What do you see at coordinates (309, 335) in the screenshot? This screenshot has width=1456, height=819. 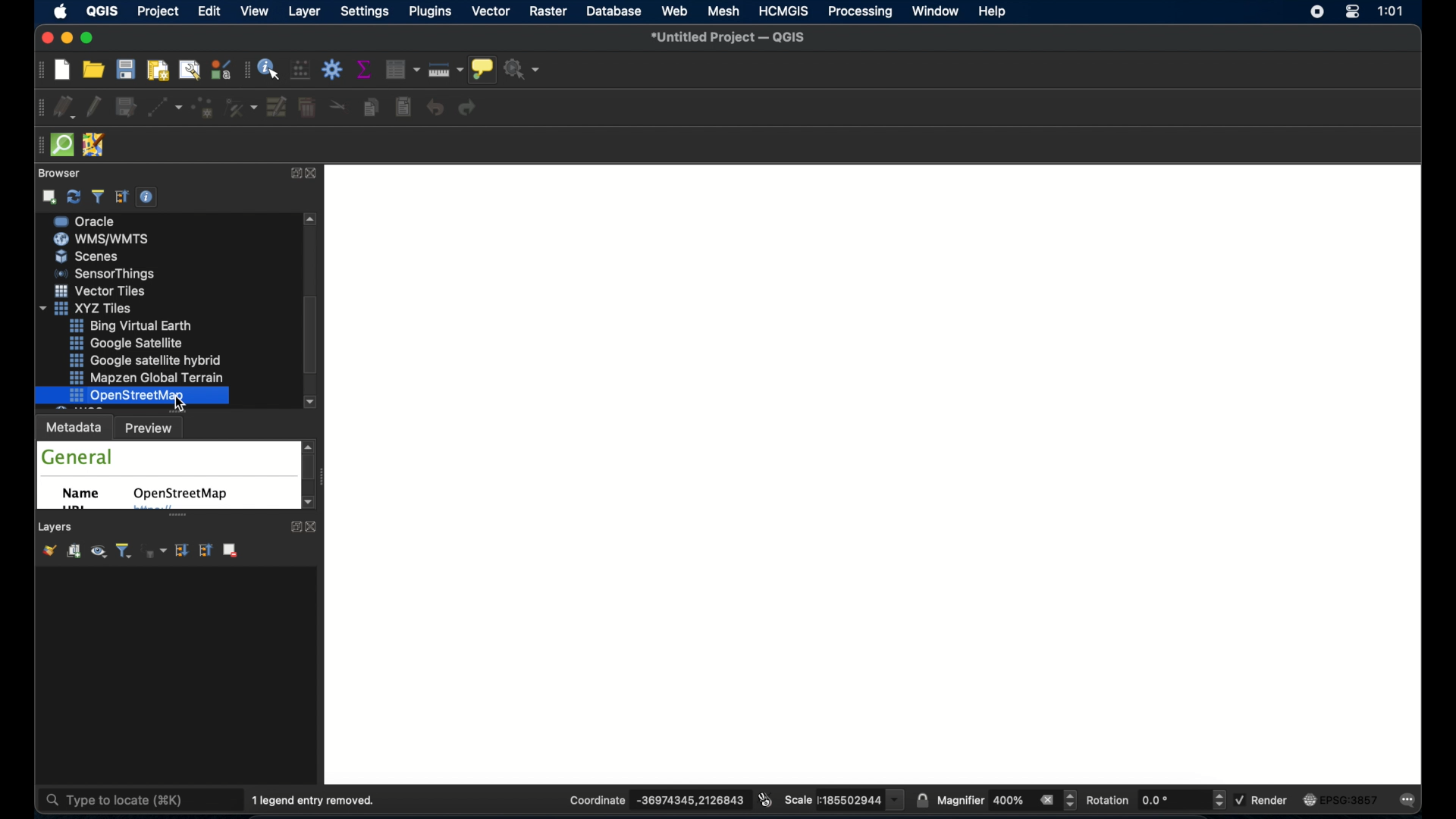 I see `scroll box` at bounding box center [309, 335].